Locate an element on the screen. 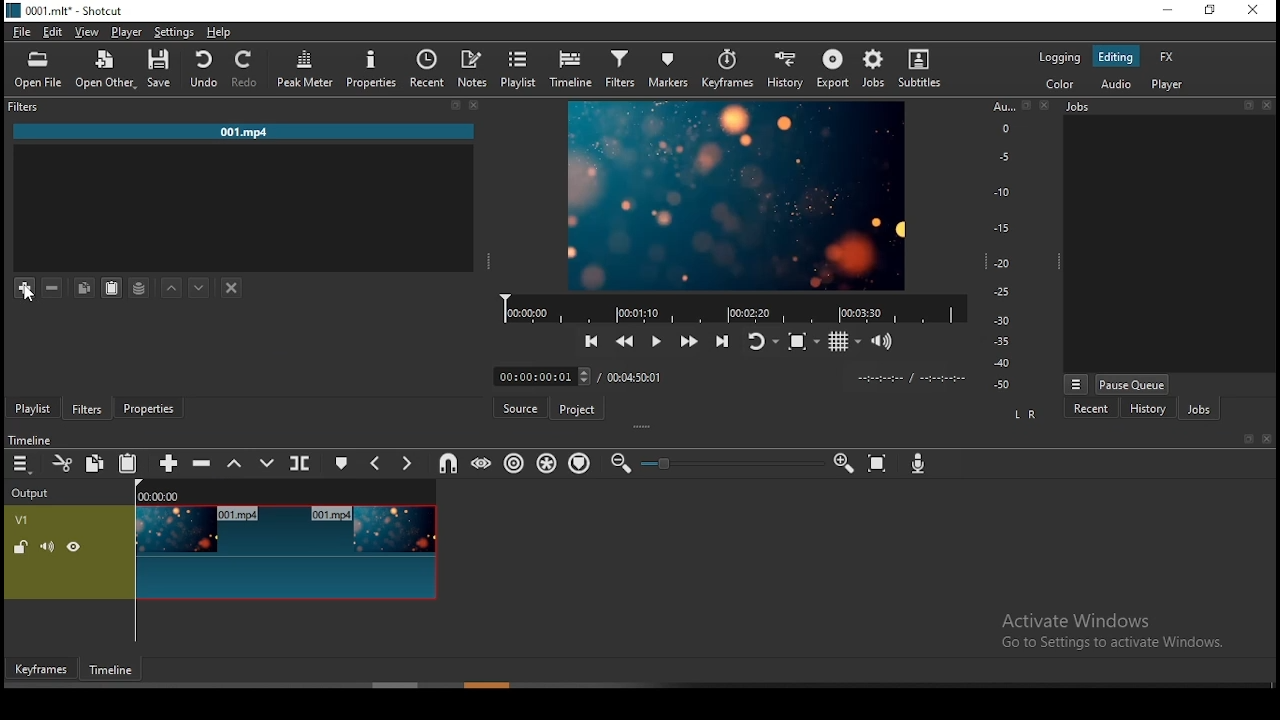  001.mp4 is located at coordinates (247, 132).